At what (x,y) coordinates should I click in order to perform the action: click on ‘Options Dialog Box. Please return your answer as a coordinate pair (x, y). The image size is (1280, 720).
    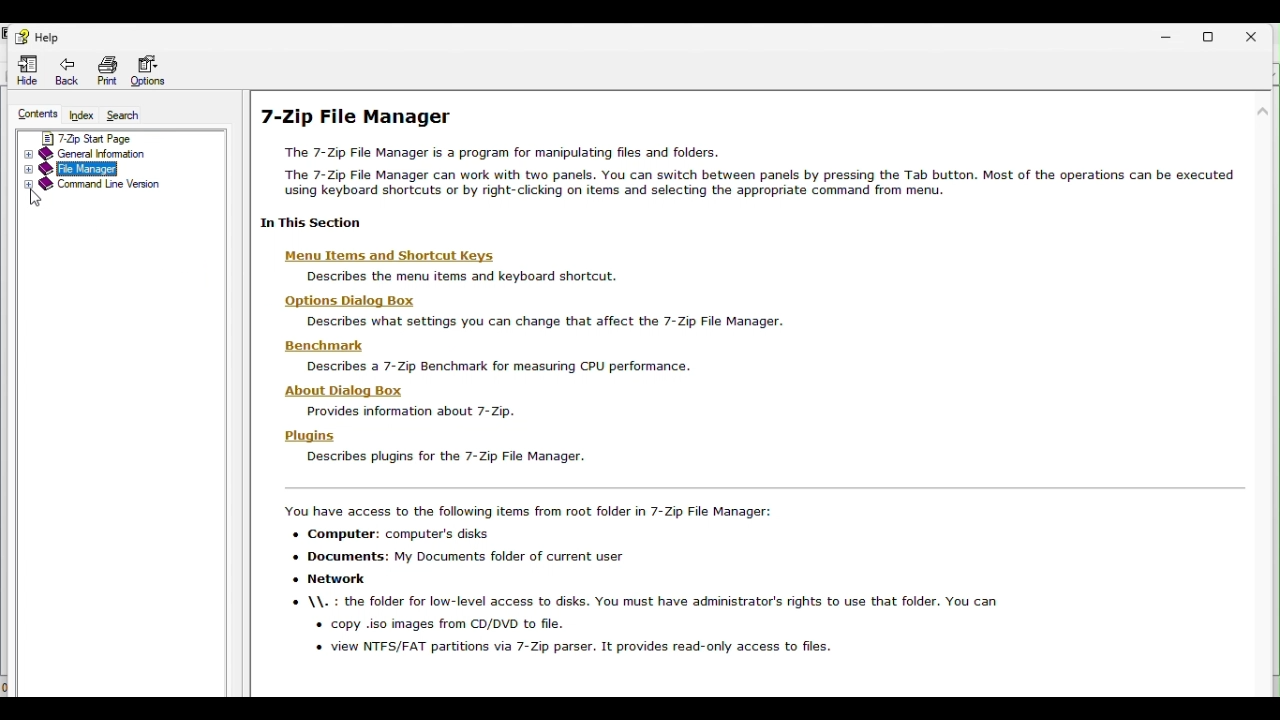
    Looking at the image, I should click on (351, 301).